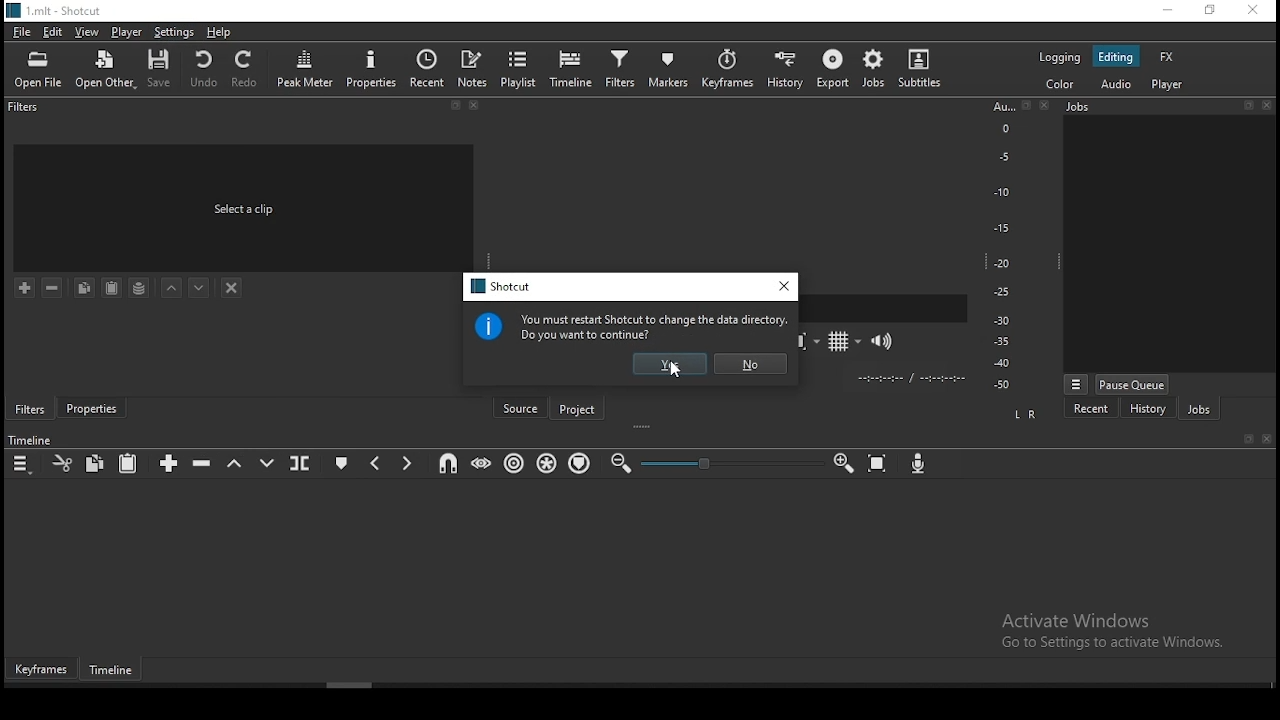 This screenshot has width=1280, height=720. I want to click on open other, so click(107, 68).